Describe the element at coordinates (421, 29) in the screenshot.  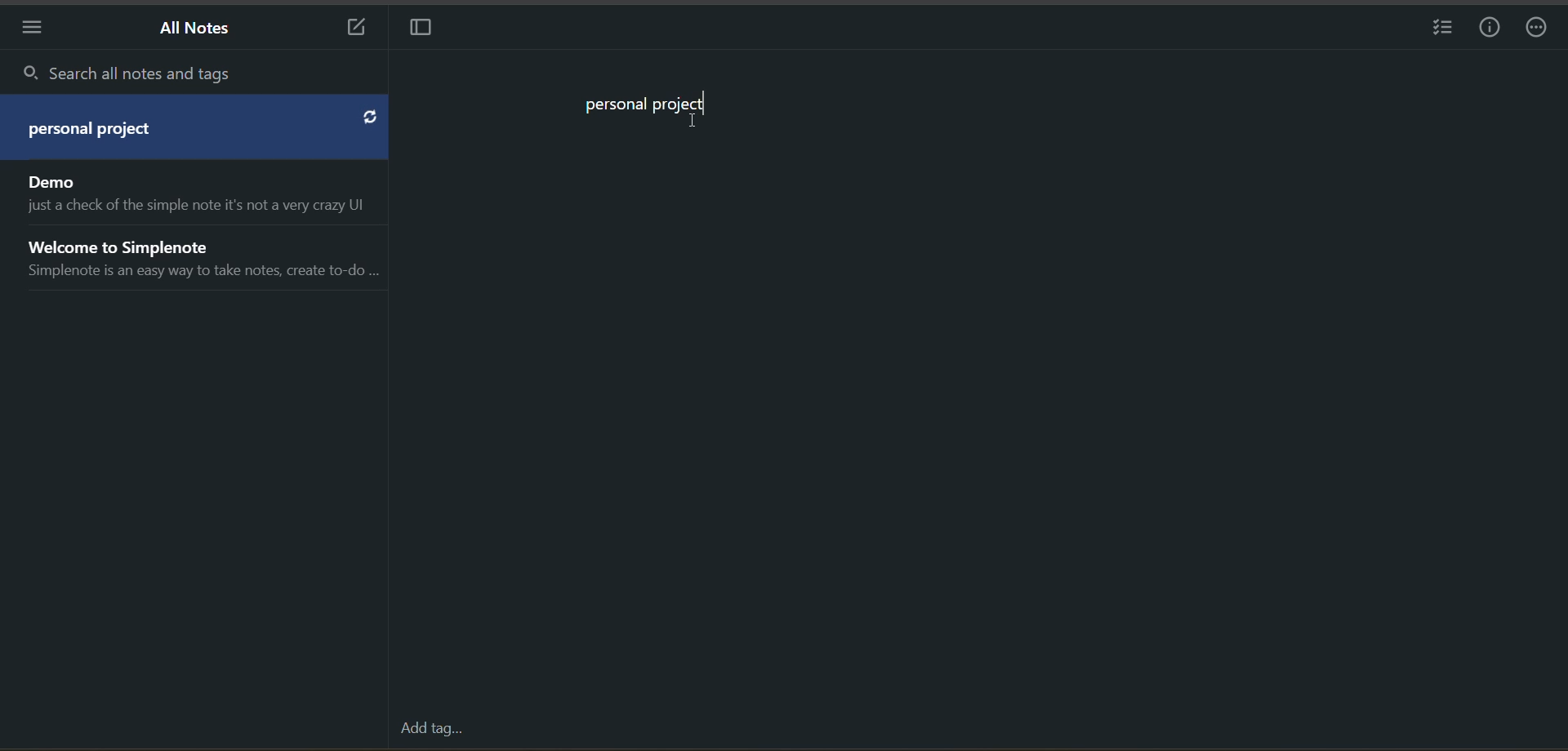
I see `toggle focus mode` at that location.